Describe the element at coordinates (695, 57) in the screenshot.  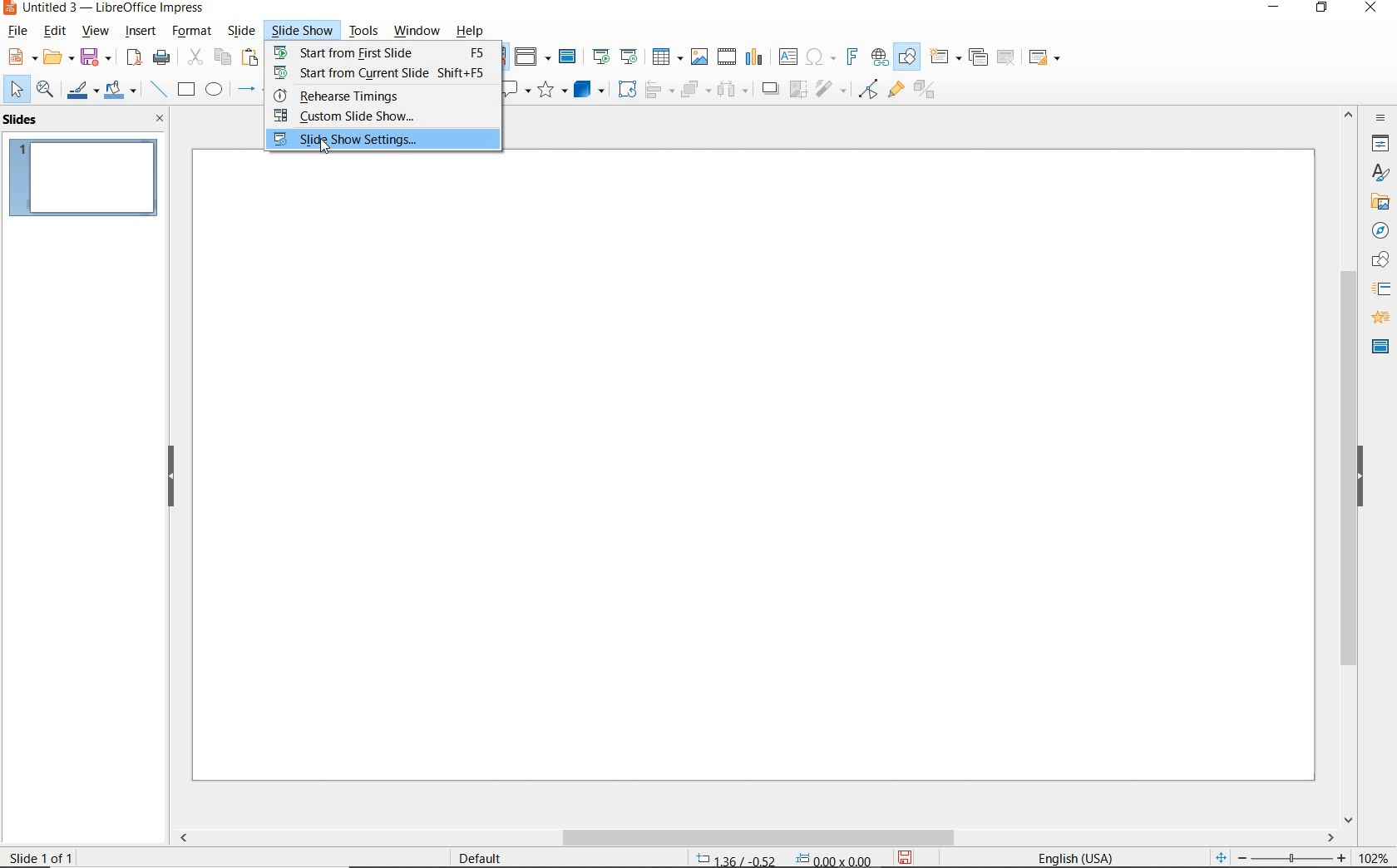
I see `INSERT IMAGE` at that location.